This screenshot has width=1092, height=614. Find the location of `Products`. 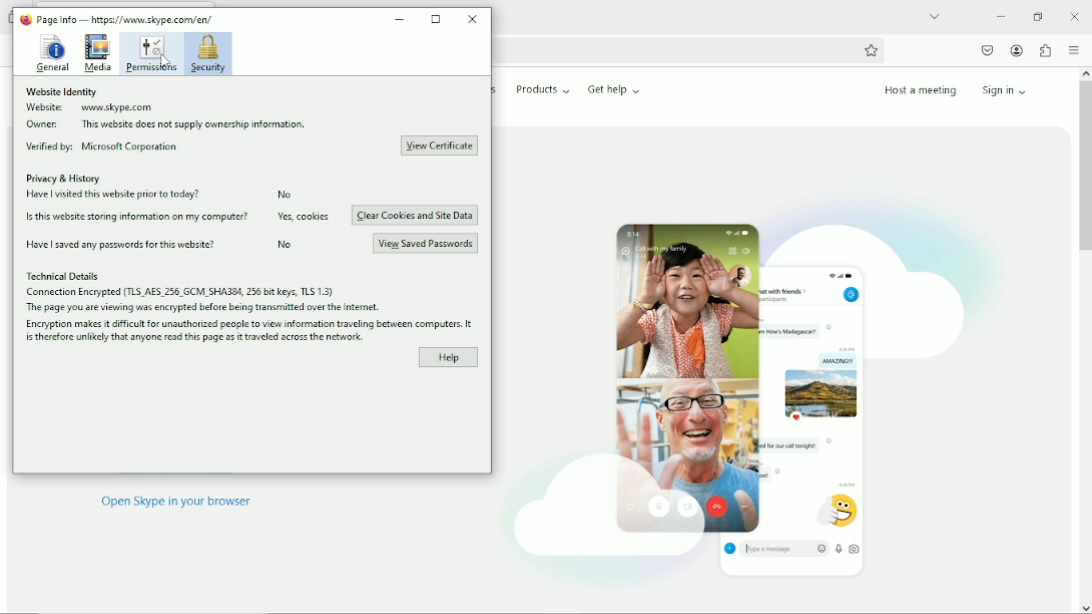

Products is located at coordinates (543, 89).